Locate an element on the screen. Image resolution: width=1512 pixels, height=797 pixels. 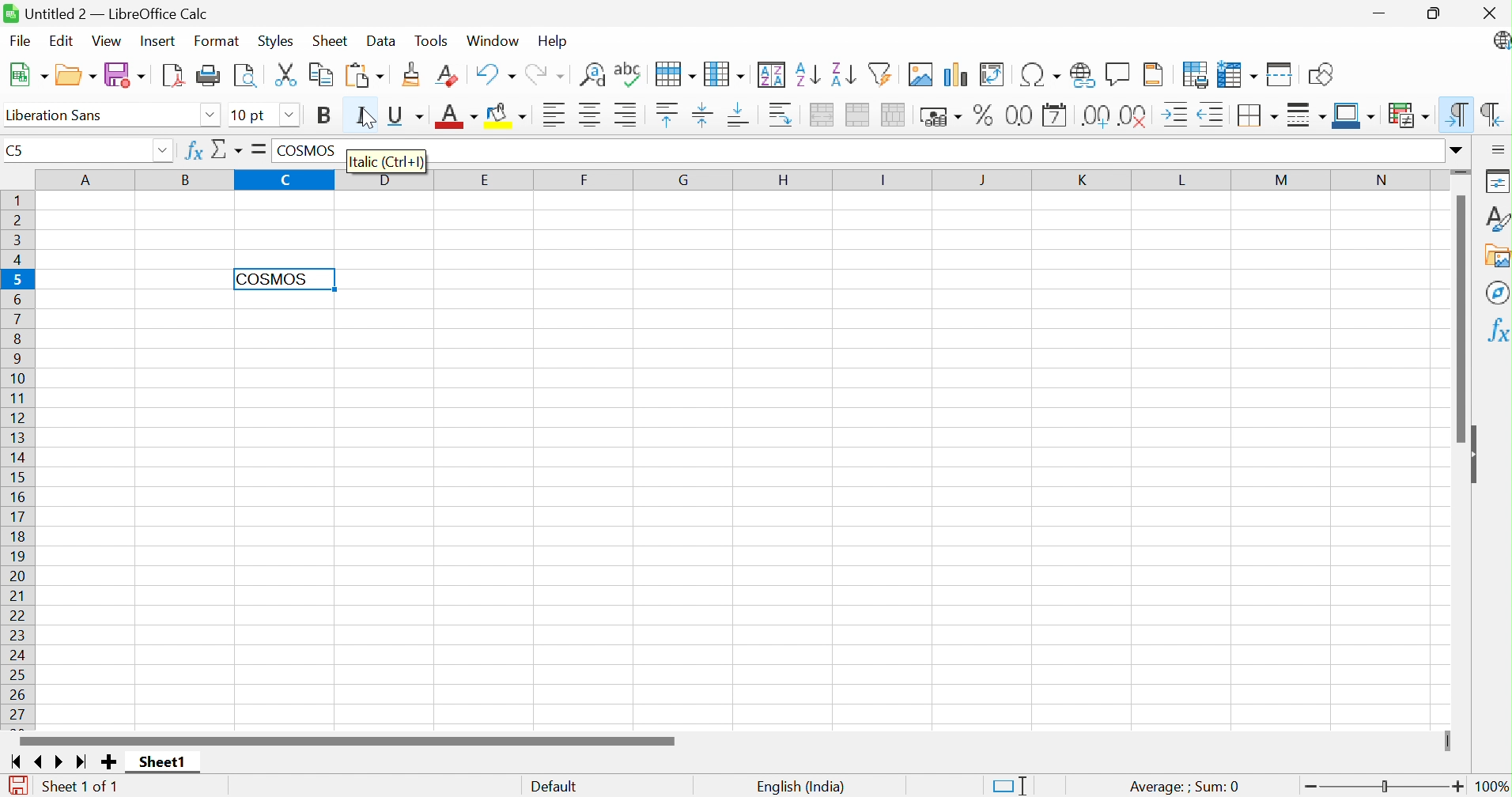
Format as date is located at coordinates (1055, 115).